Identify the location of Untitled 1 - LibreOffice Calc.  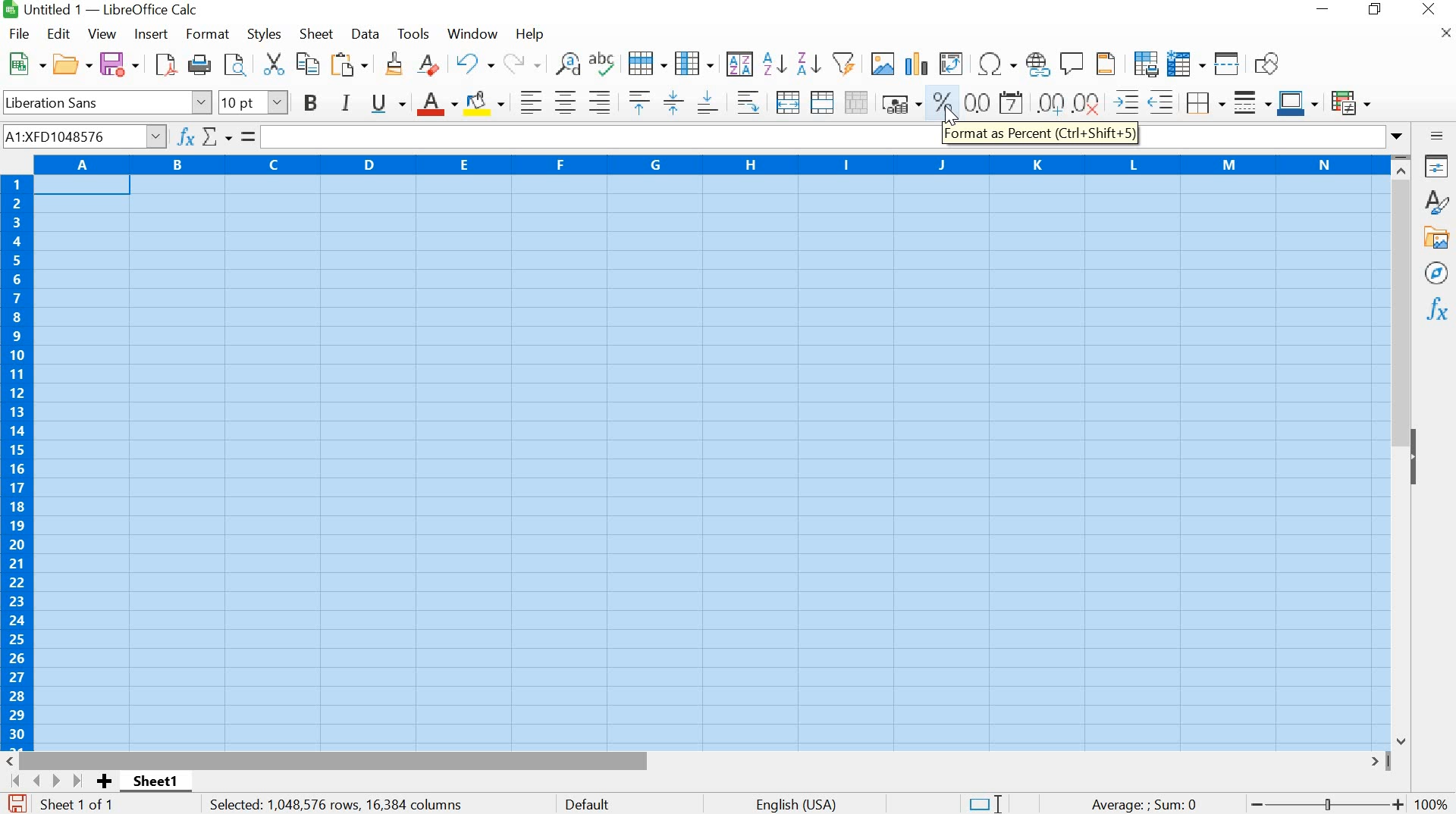
(111, 11).